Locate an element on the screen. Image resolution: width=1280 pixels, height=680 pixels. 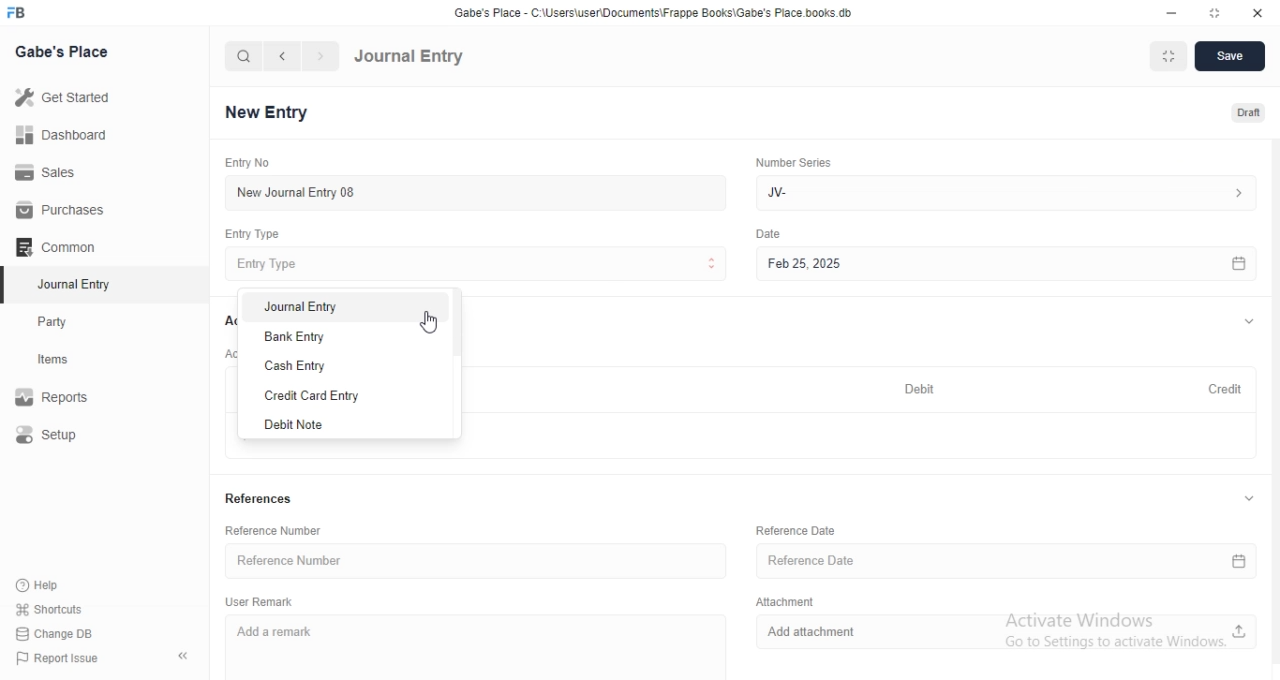
Debit Note is located at coordinates (343, 426).